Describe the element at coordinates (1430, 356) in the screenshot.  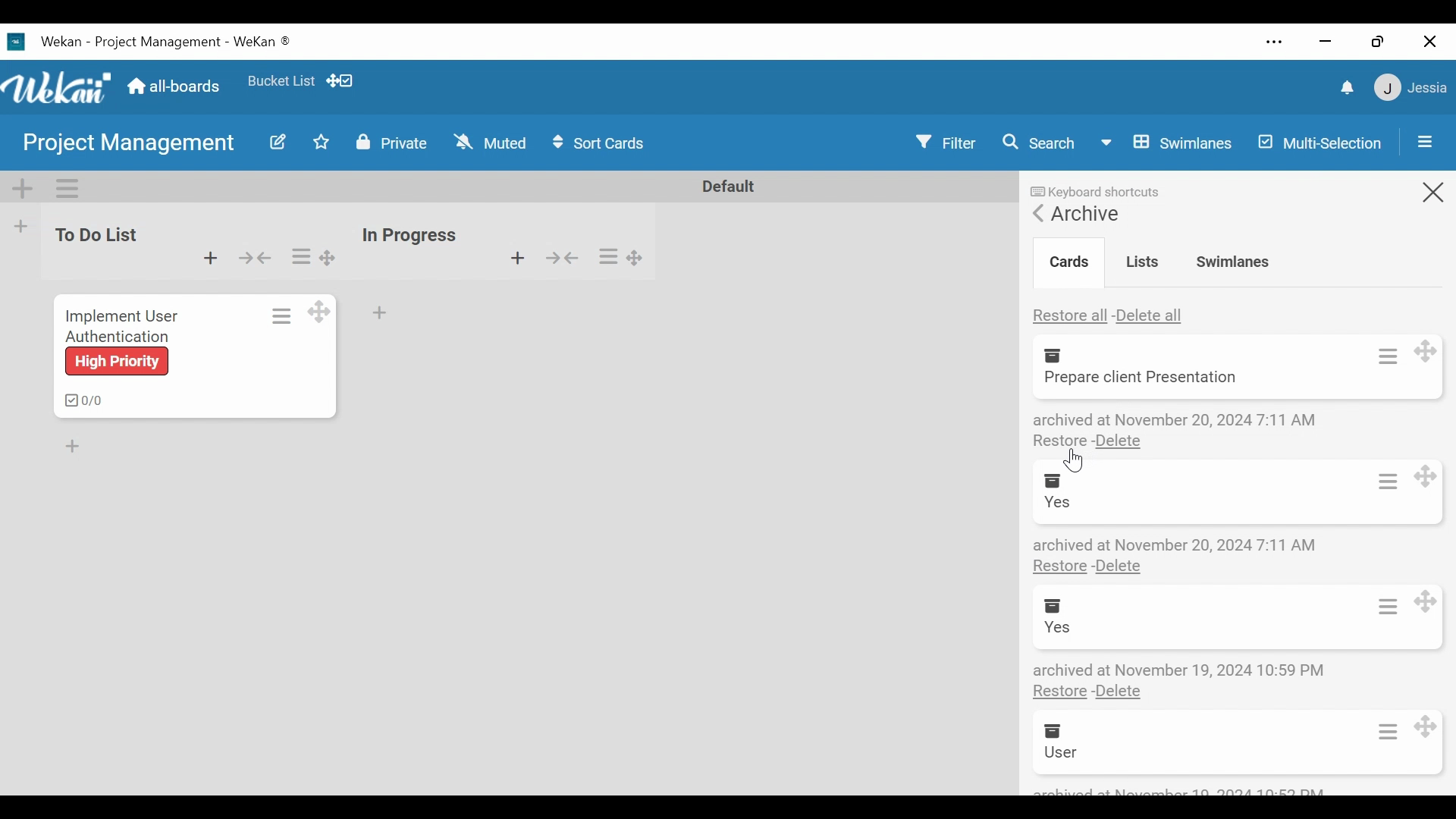
I see `Desktop drag handles` at that location.